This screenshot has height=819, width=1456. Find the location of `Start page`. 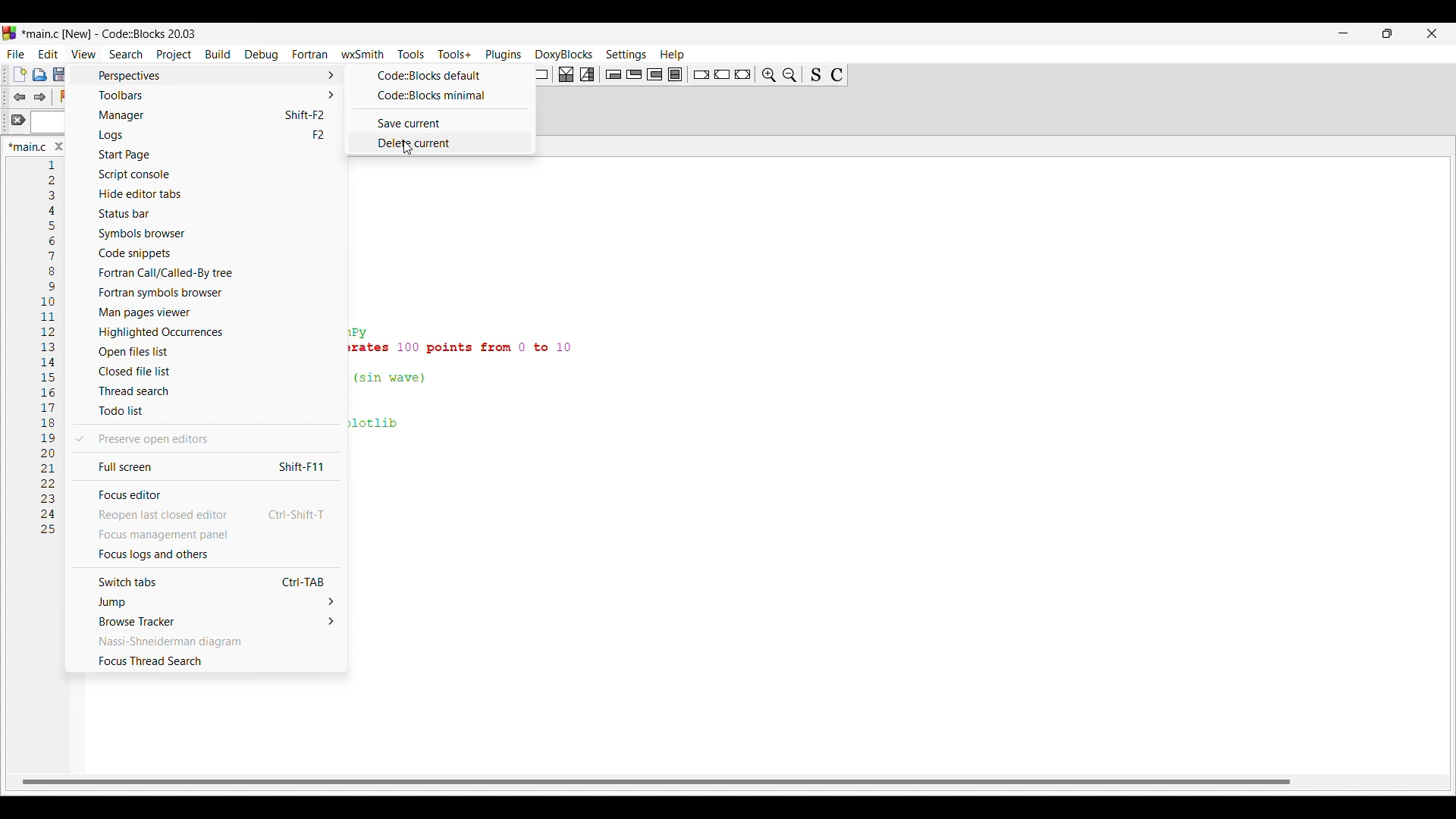

Start page is located at coordinates (209, 155).